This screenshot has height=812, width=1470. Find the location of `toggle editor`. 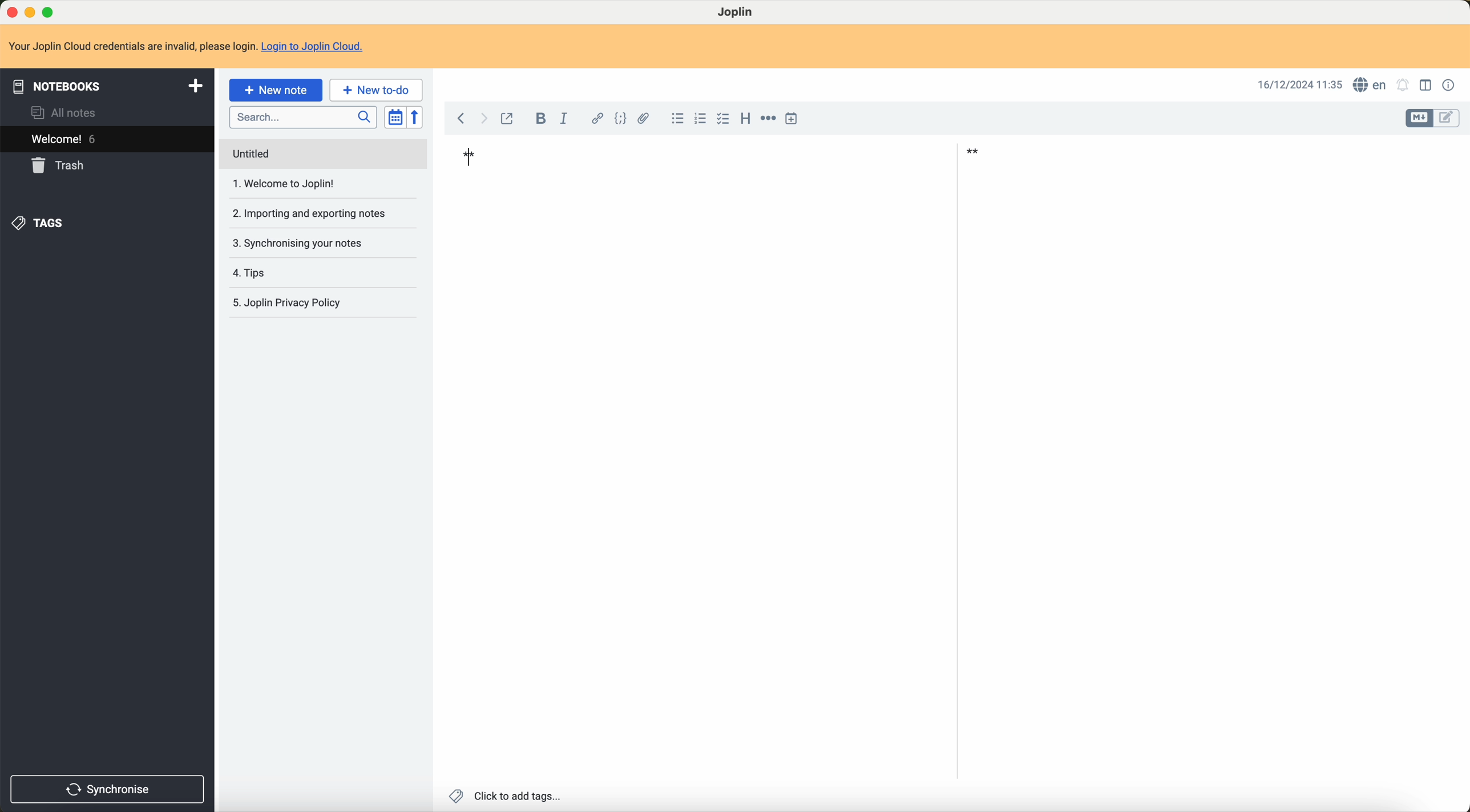

toggle editor is located at coordinates (1416, 118).